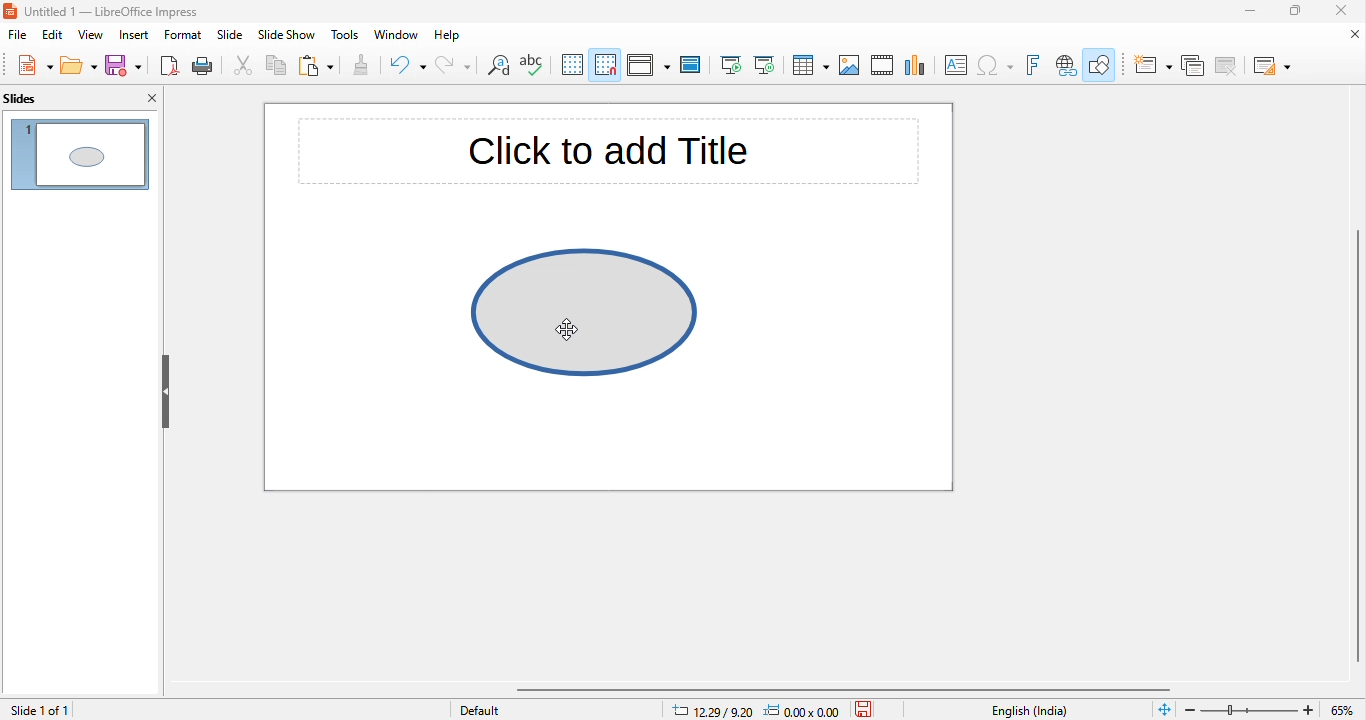  Describe the element at coordinates (313, 67) in the screenshot. I see `paste` at that location.